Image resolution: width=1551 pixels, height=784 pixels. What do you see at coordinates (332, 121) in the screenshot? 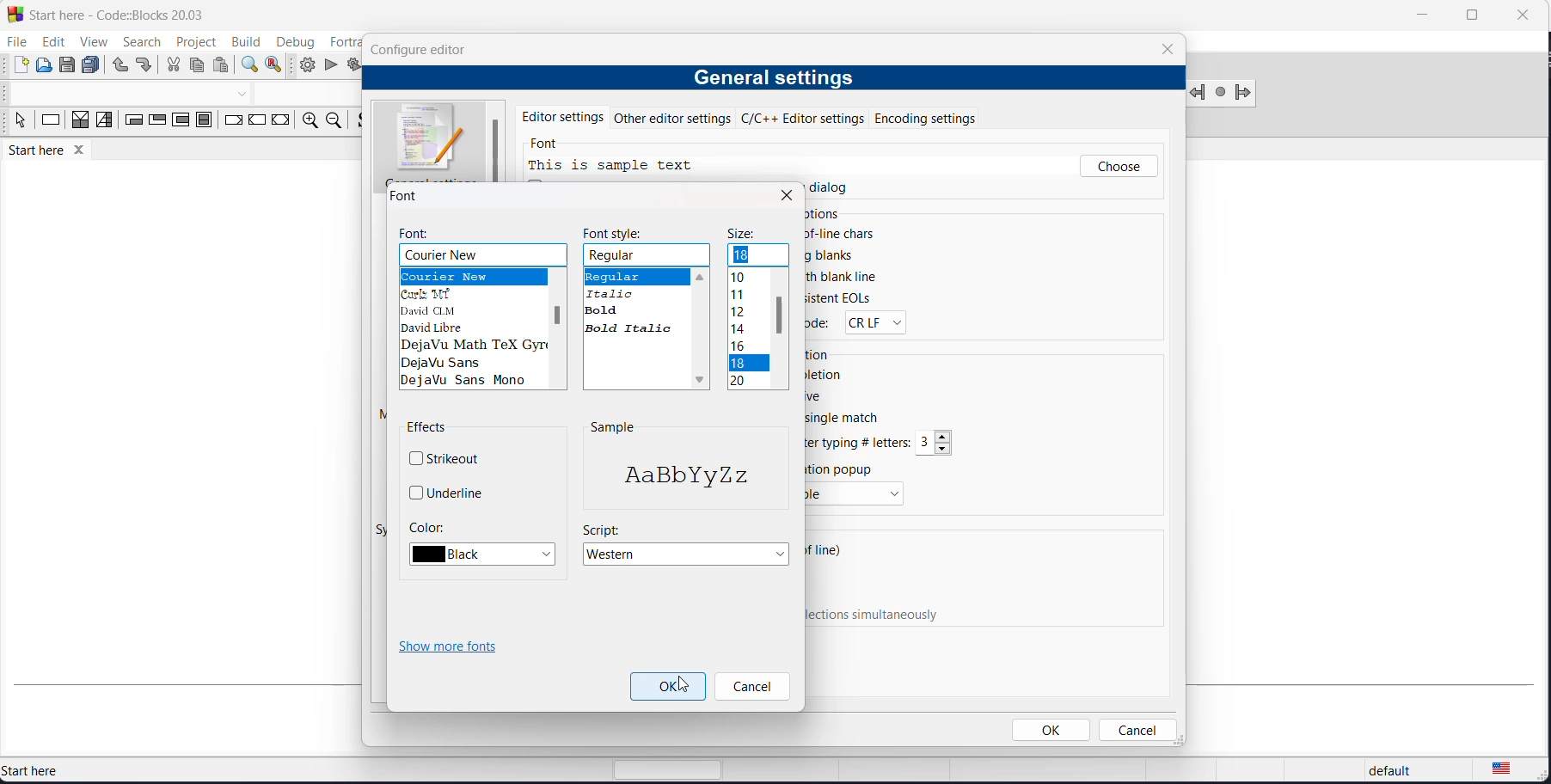
I see `zoom out` at bounding box center [332, 121].